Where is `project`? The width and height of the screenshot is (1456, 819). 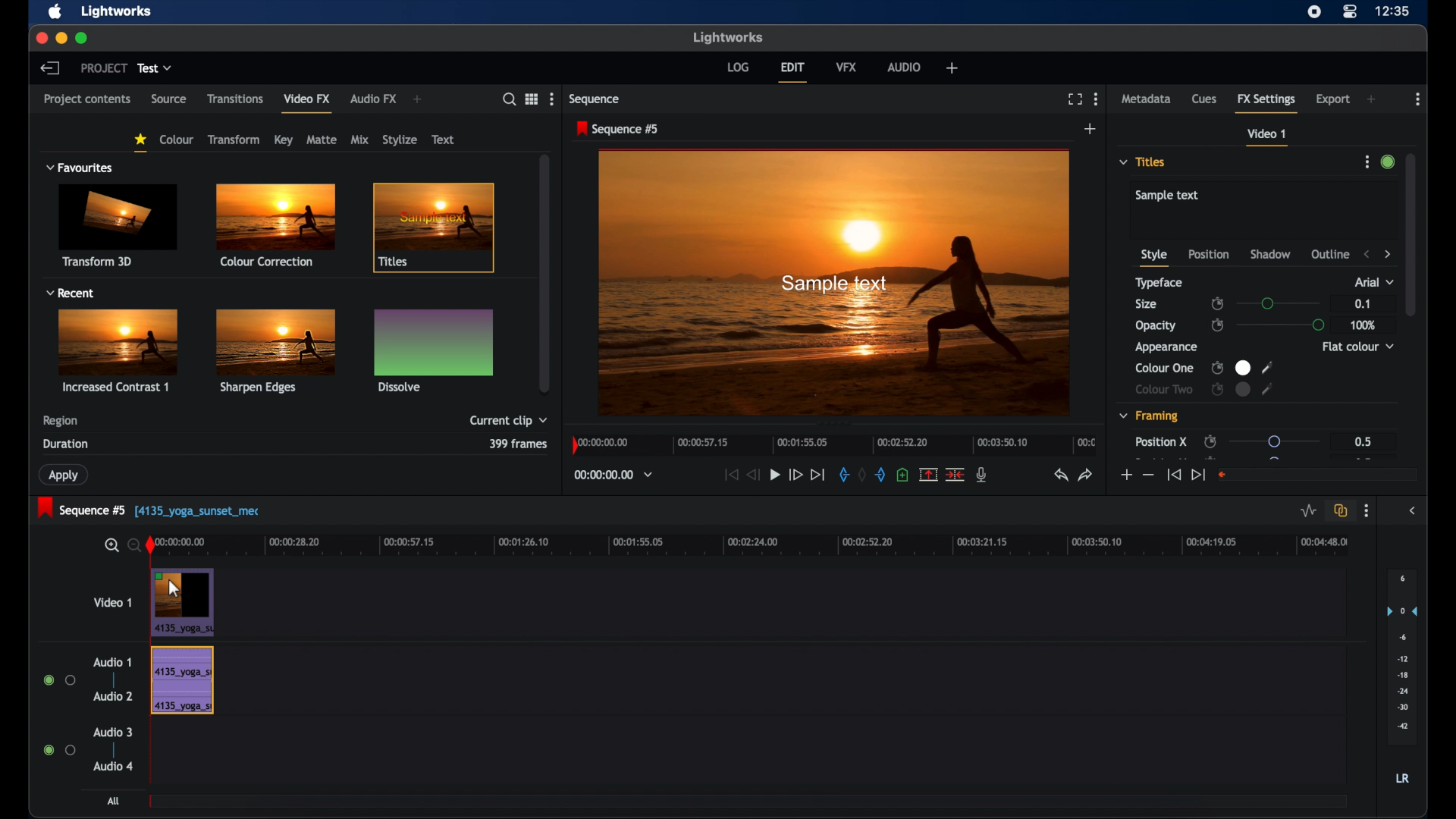
project is located at coordinates (102, 68).